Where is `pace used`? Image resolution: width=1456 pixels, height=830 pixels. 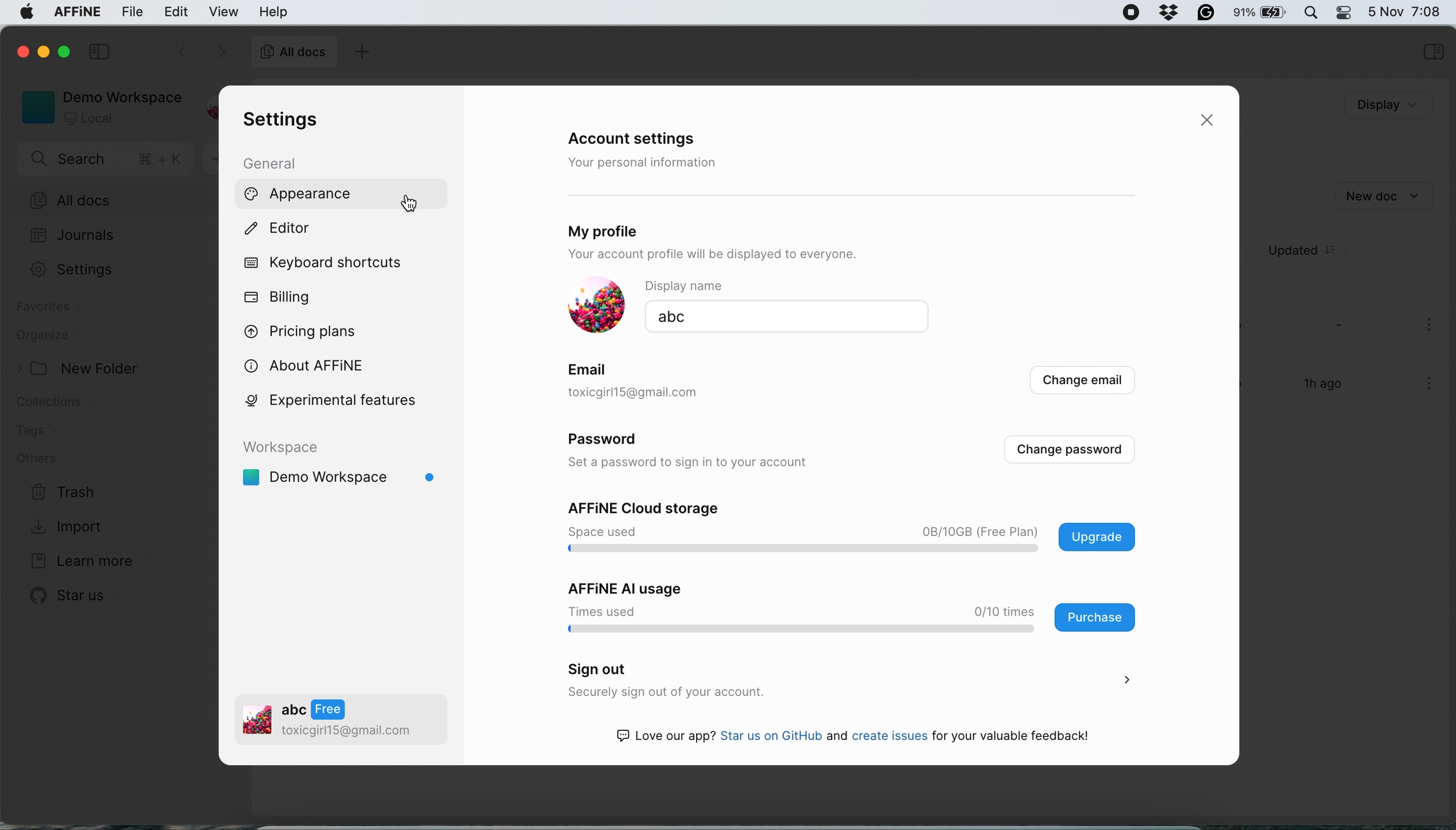 pace used is located at coordinates (604, 532).